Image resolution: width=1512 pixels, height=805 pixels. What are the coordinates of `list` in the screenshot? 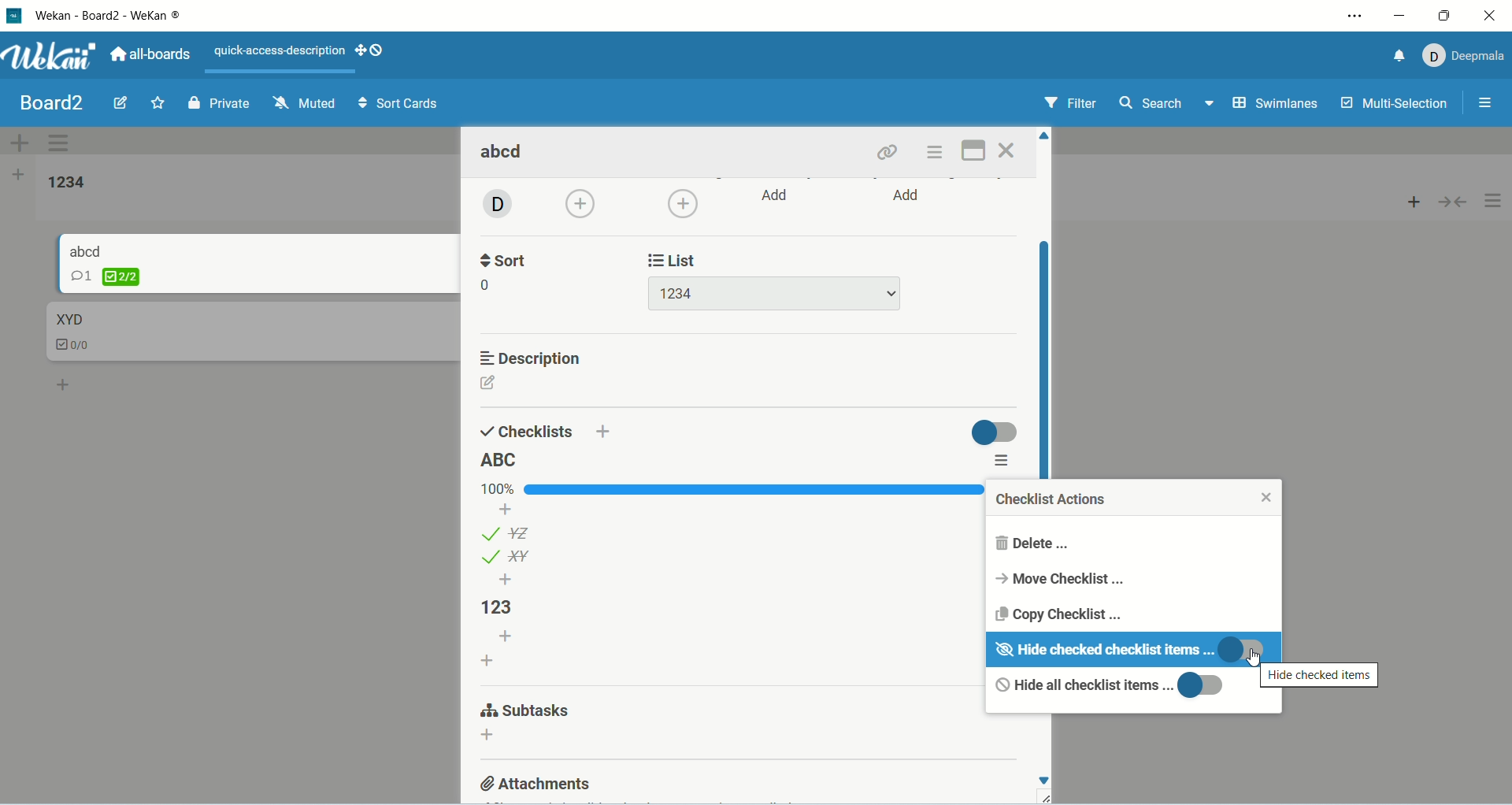 It's located at (773, 294).